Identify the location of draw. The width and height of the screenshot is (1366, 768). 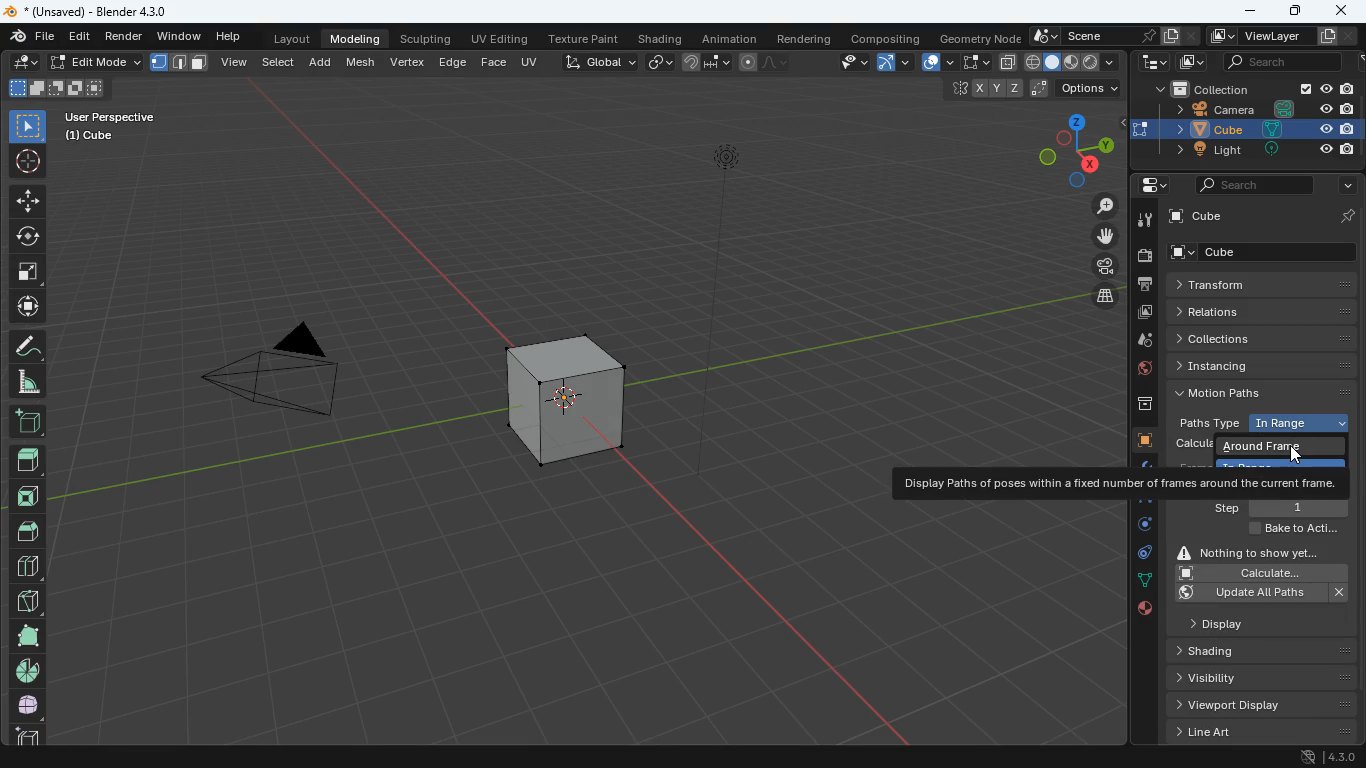
(26, 345).